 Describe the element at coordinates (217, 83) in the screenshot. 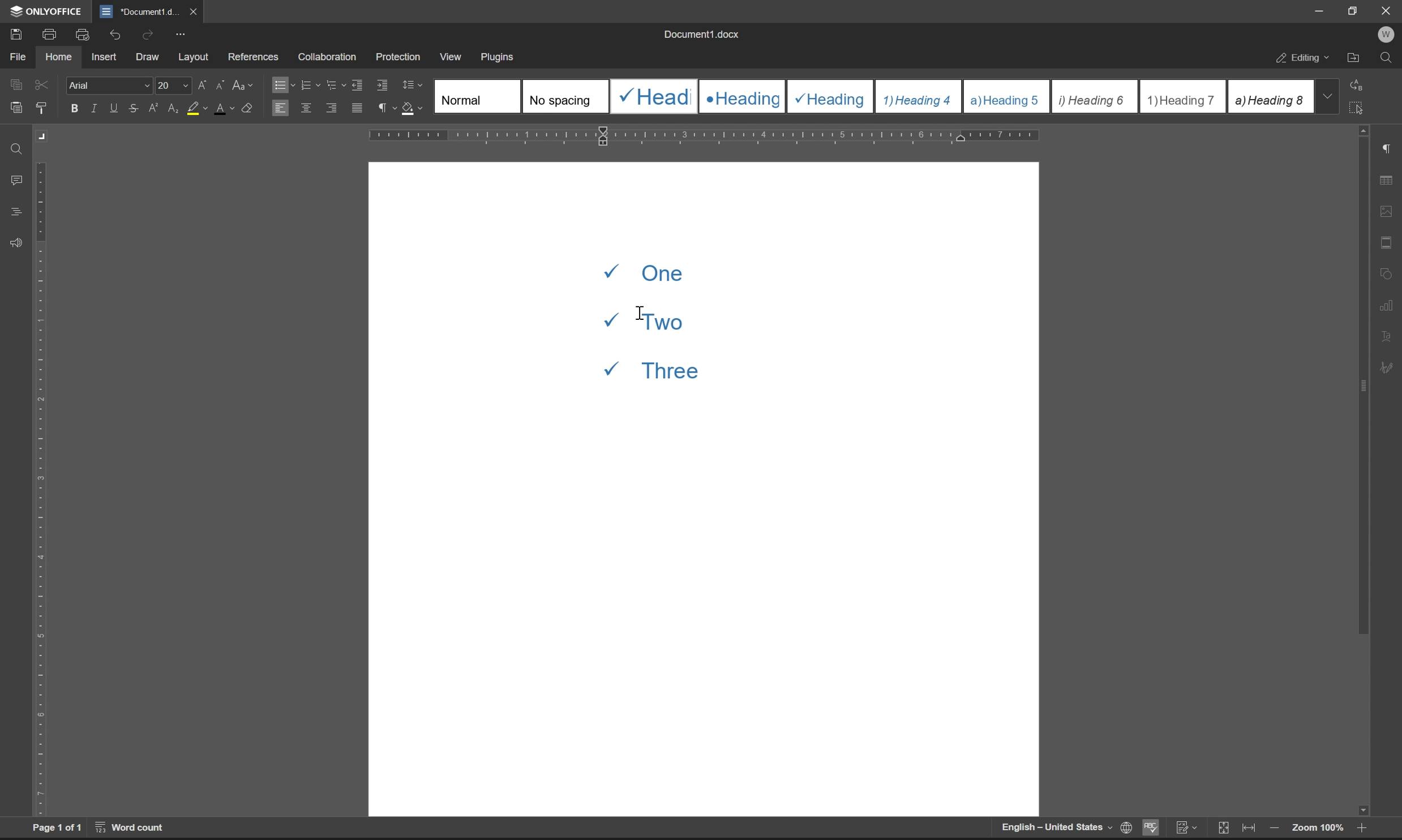

I see `decrement font case` at that location.